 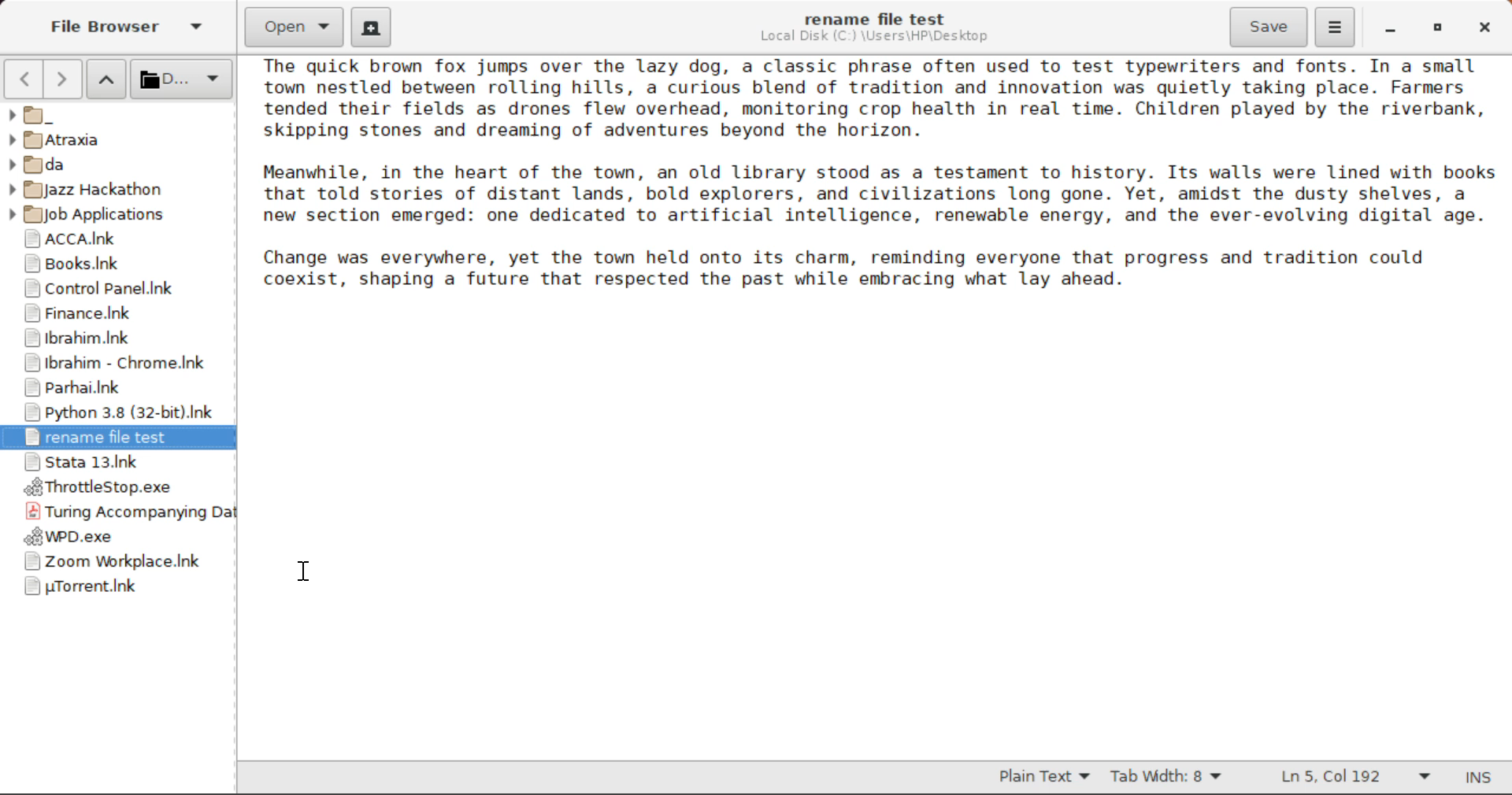 What do you see at coordinates (117, 264) in the screenshot?
I see `Books Folder Shortcut Link` at bounding box center [117, 264].